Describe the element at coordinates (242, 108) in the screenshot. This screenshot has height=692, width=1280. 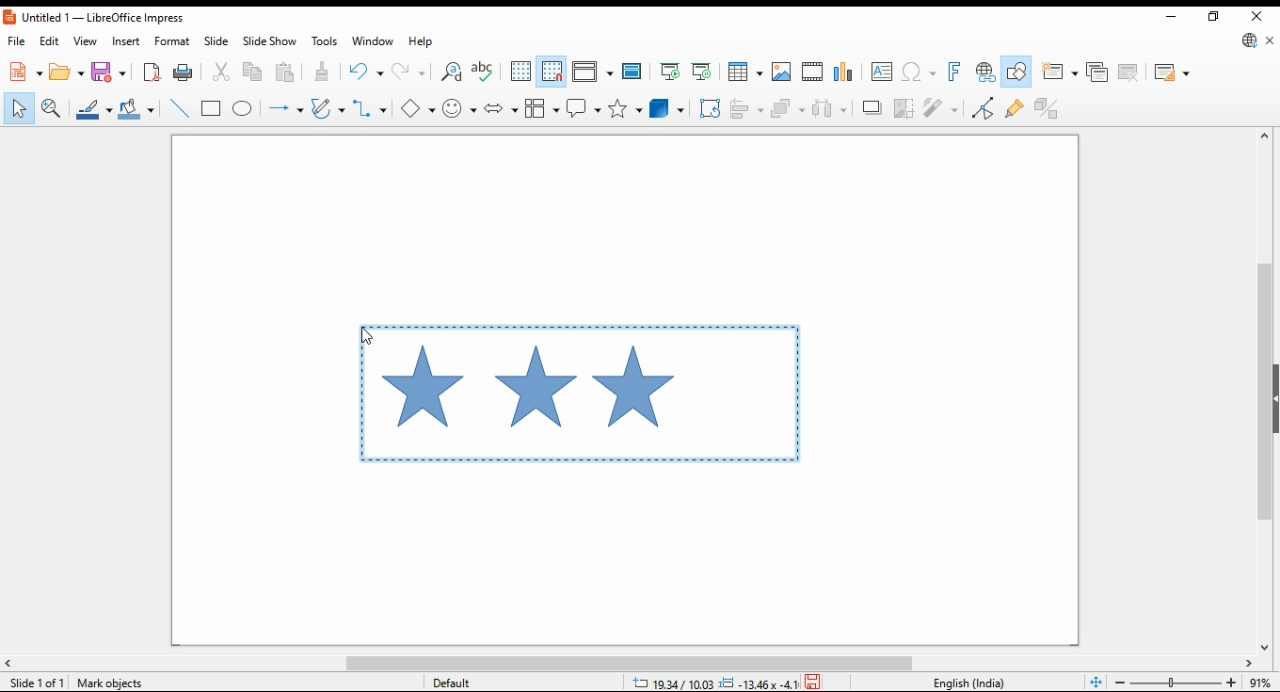
I see `ellipse` at that location.